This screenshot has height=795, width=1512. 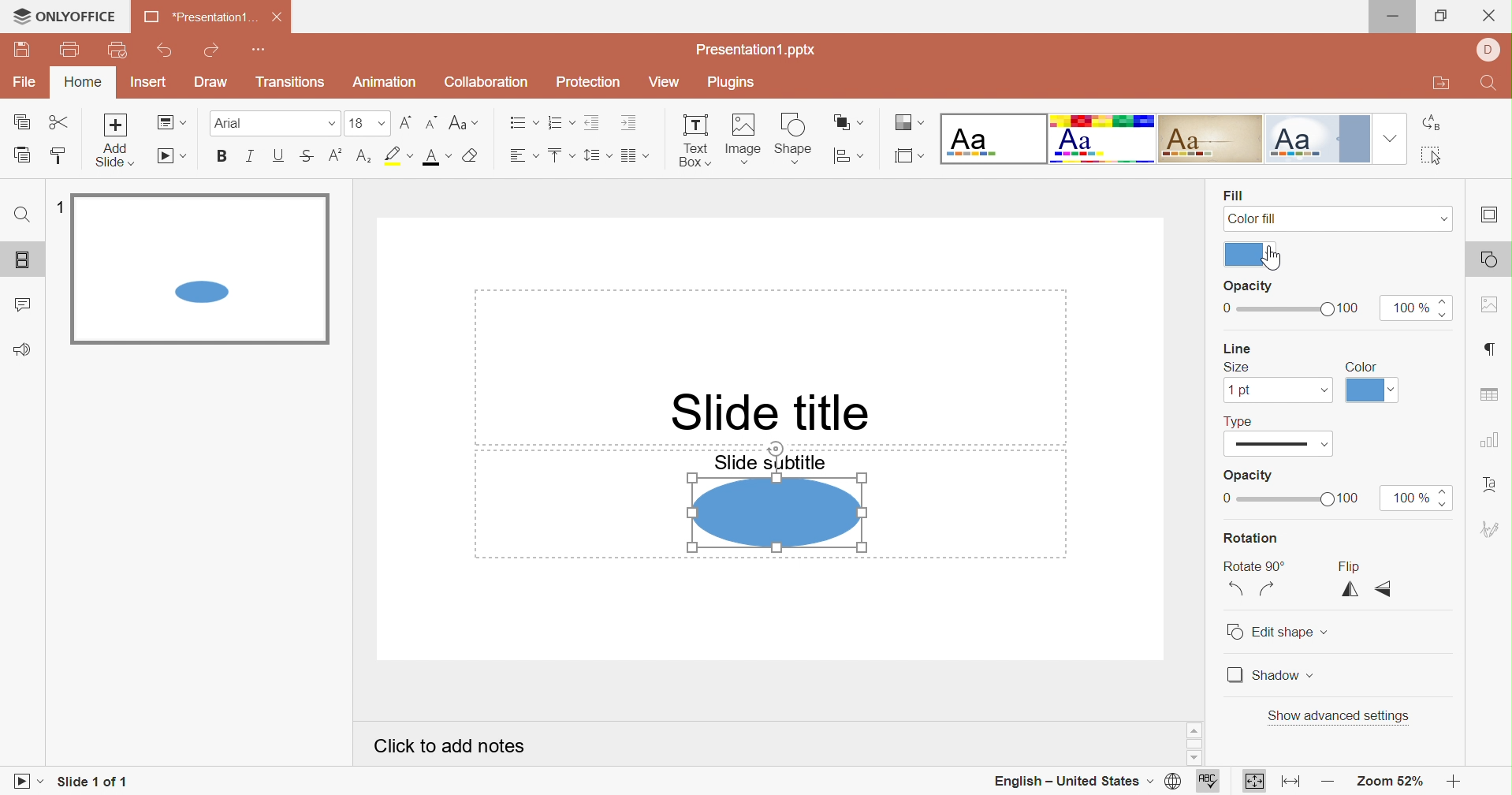 What do you see at coordinates (847, 121) in the screenshot?
I see `Arrange shape` at bounding box center [847, 121].